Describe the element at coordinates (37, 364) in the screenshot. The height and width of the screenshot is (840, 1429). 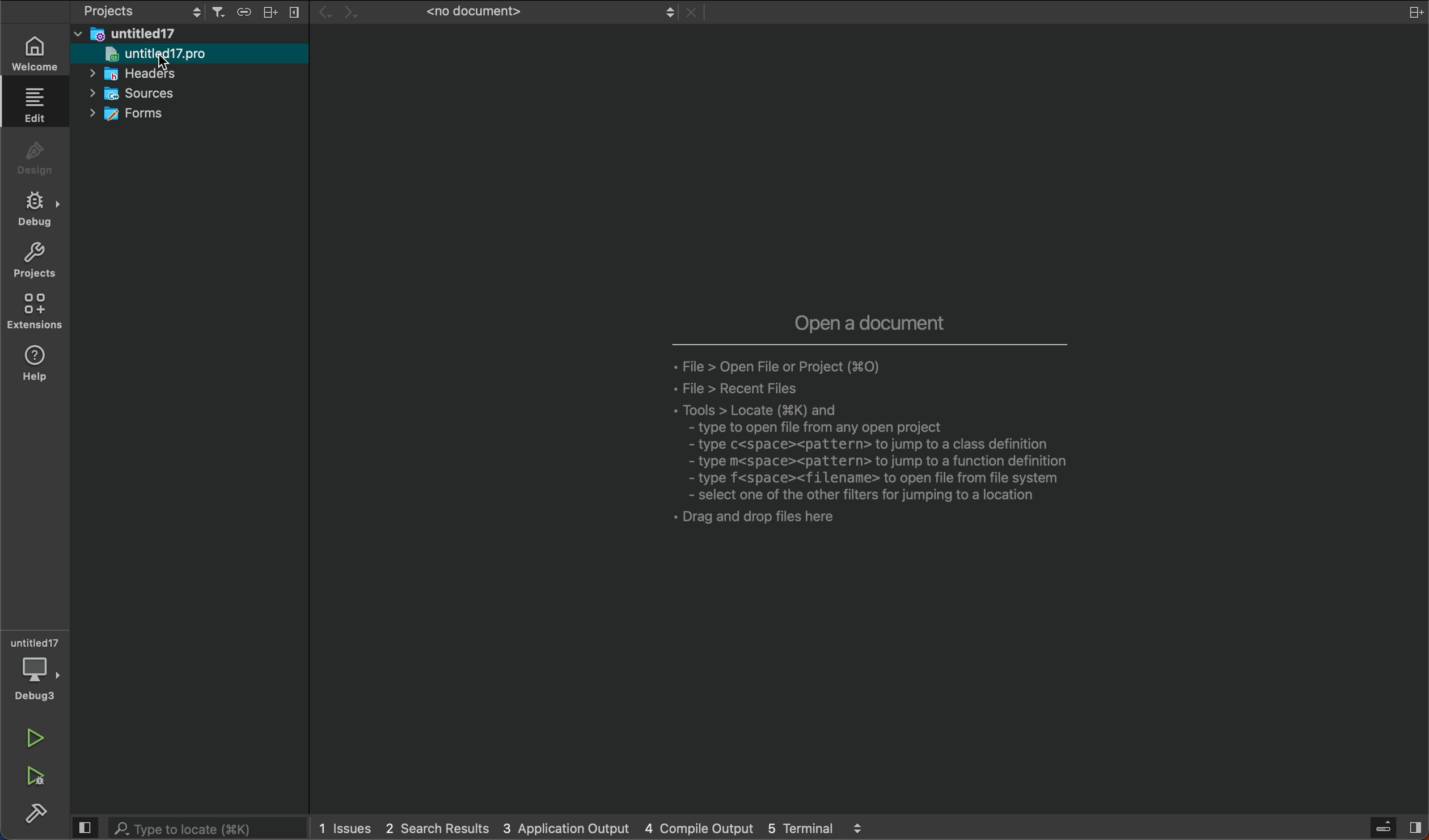
I see `help` at that location.